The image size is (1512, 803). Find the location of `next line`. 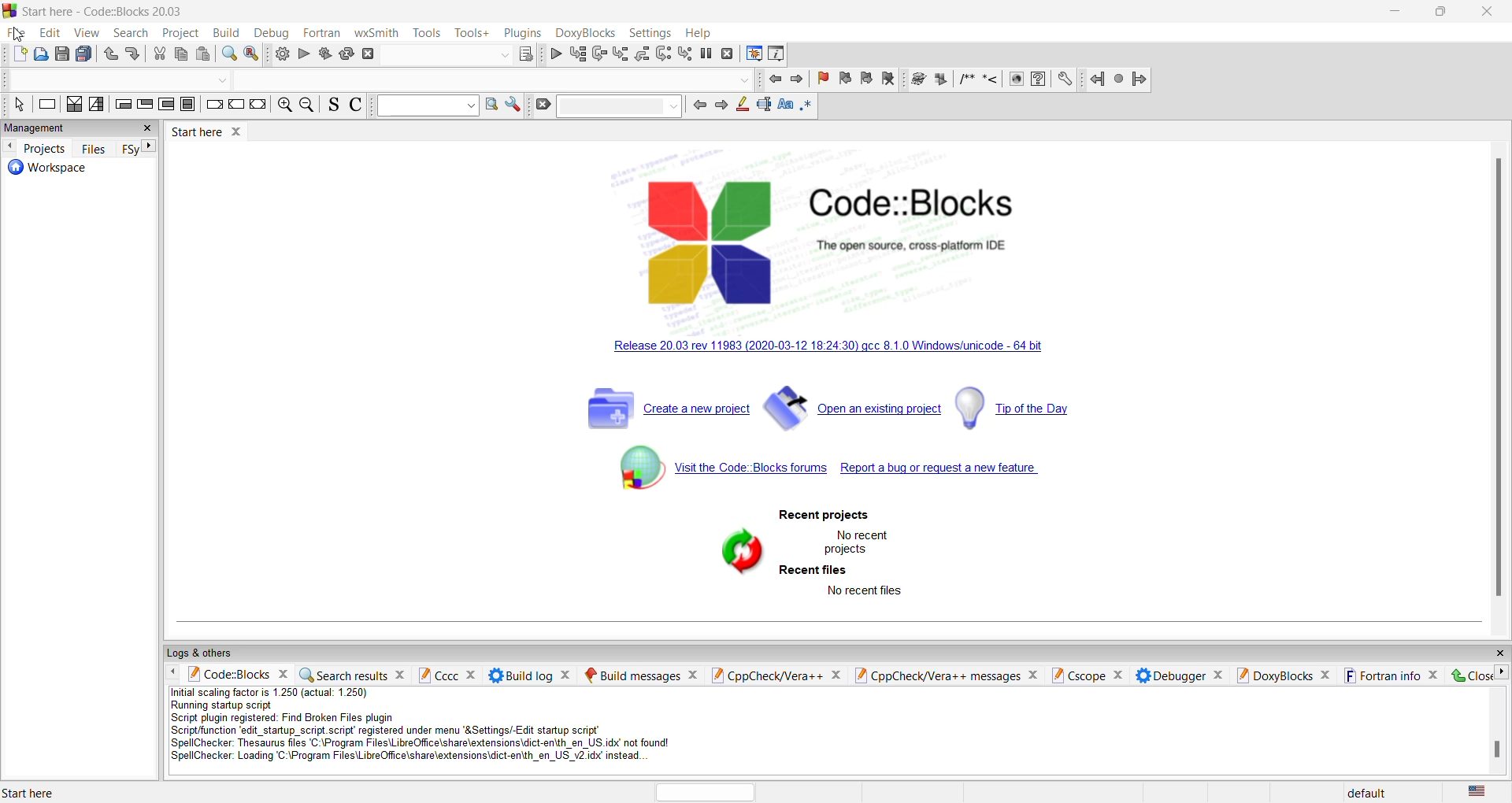

next line is located at coordinates (599, 54).